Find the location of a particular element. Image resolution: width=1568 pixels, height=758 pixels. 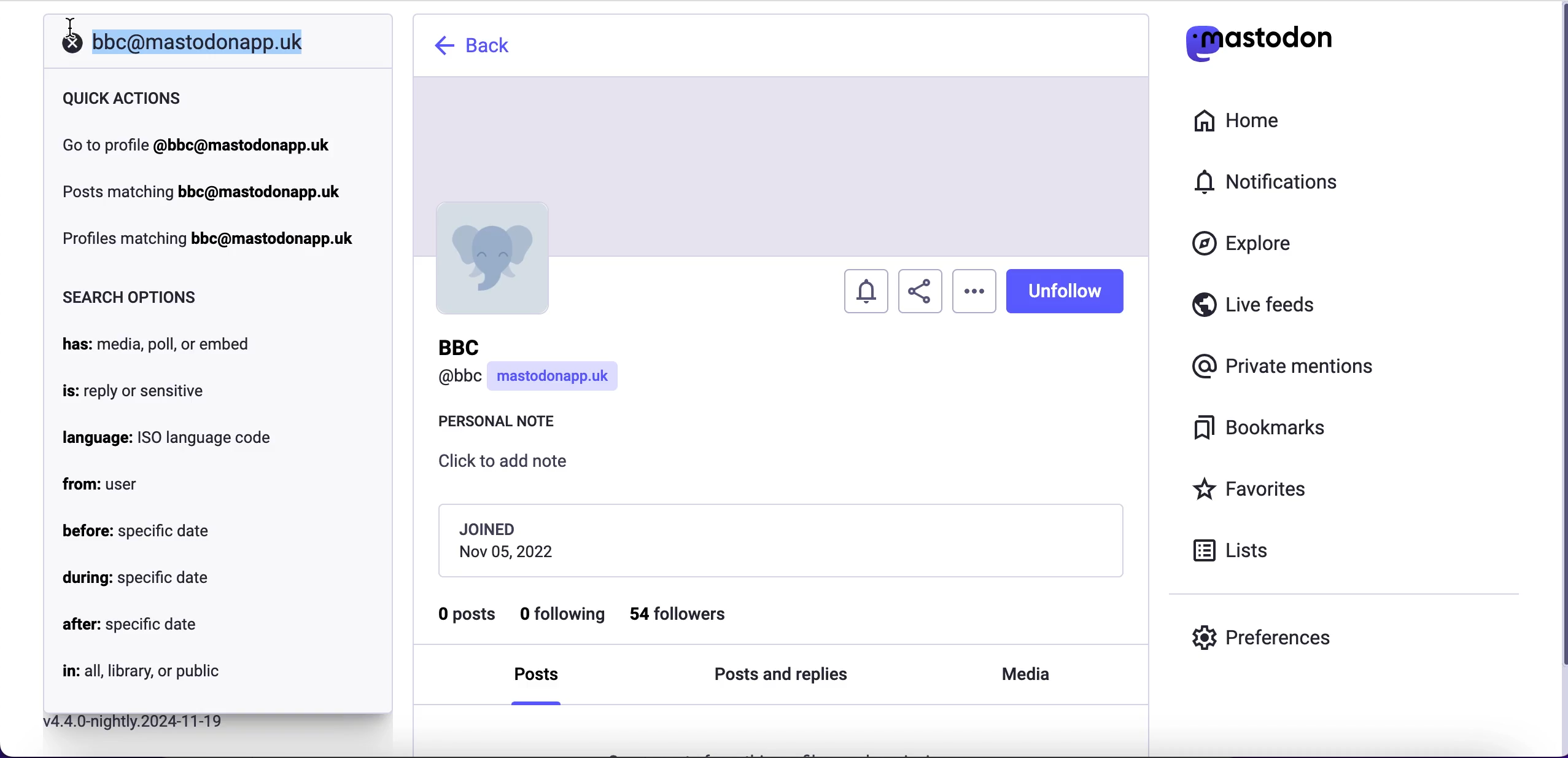

post matching is located at coordinates (201, 190).